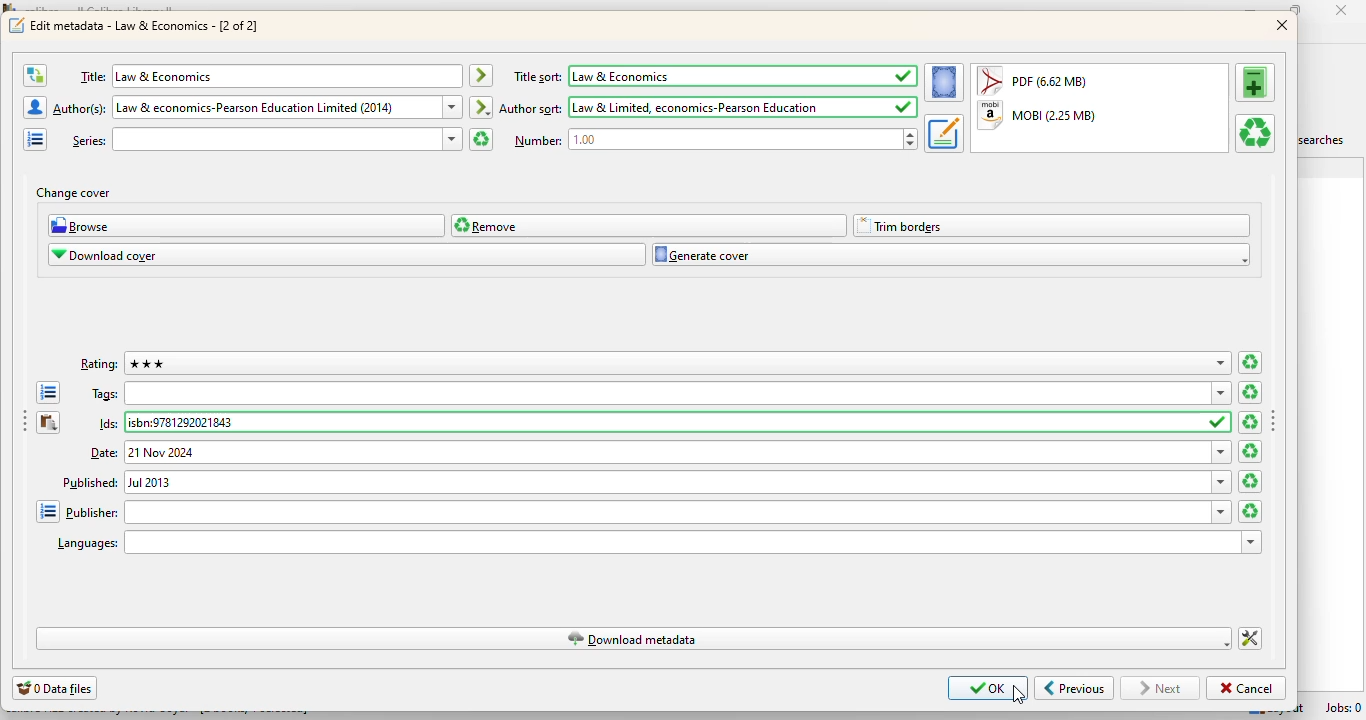 Image resolution: width=1366 pixels, height=720 pixels. I want to click on change how calibre downloads metadata, so click(1251, 639).